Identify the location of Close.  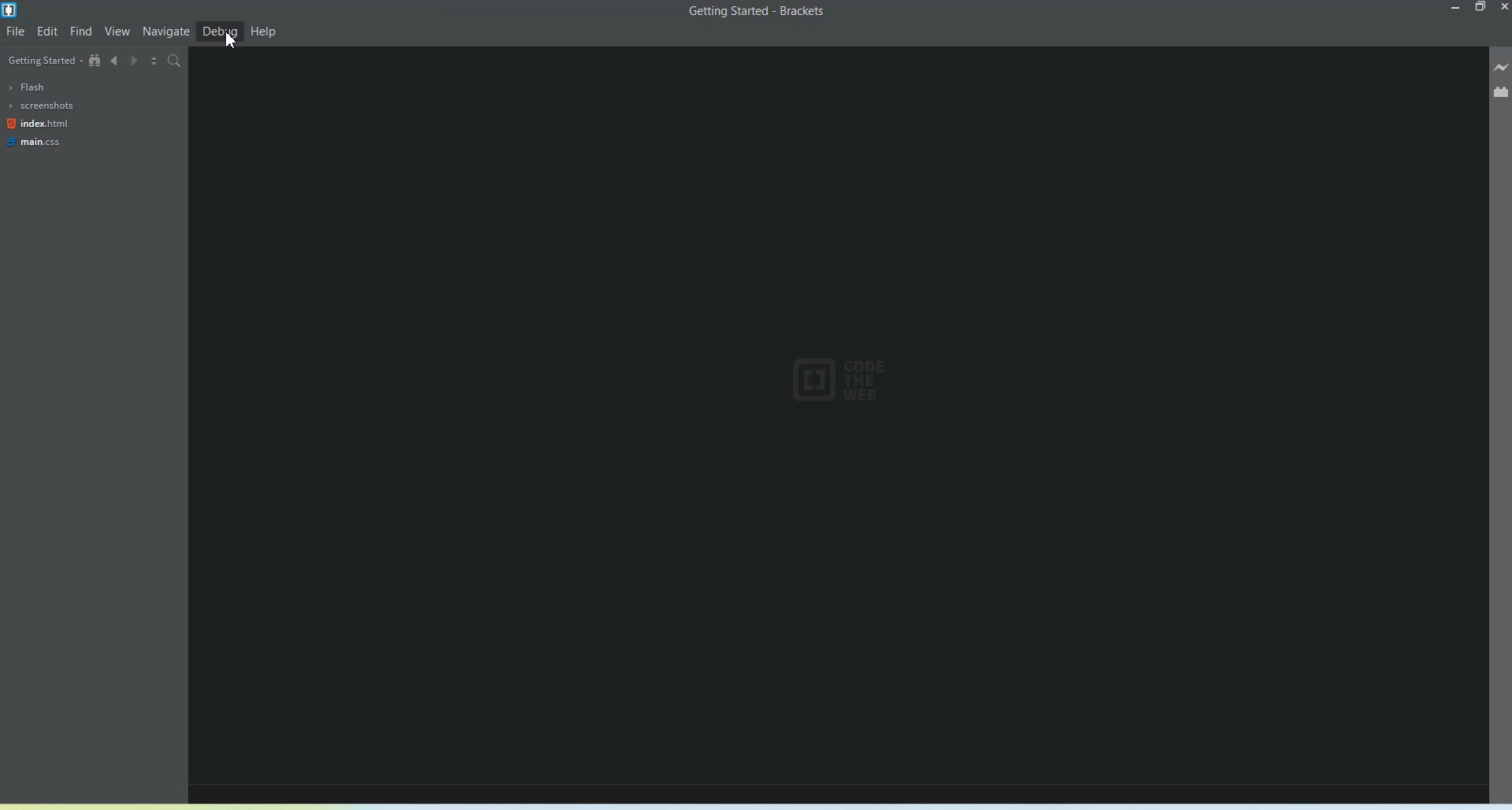
(1503, 9).